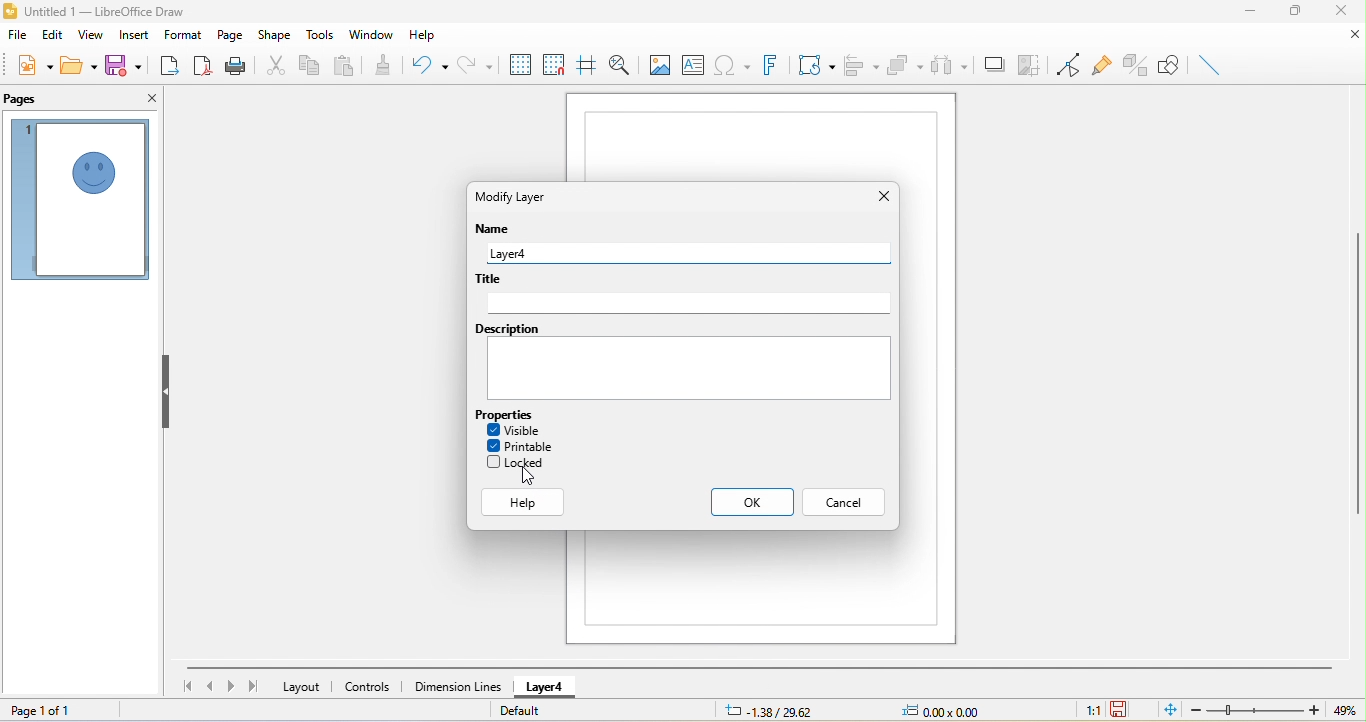 The height and width of the screenshot is (722, 1366). What do you see at coordinates (457, 685) in the screenshot?
I see `dimension lines` at bounding box center [457, 685].